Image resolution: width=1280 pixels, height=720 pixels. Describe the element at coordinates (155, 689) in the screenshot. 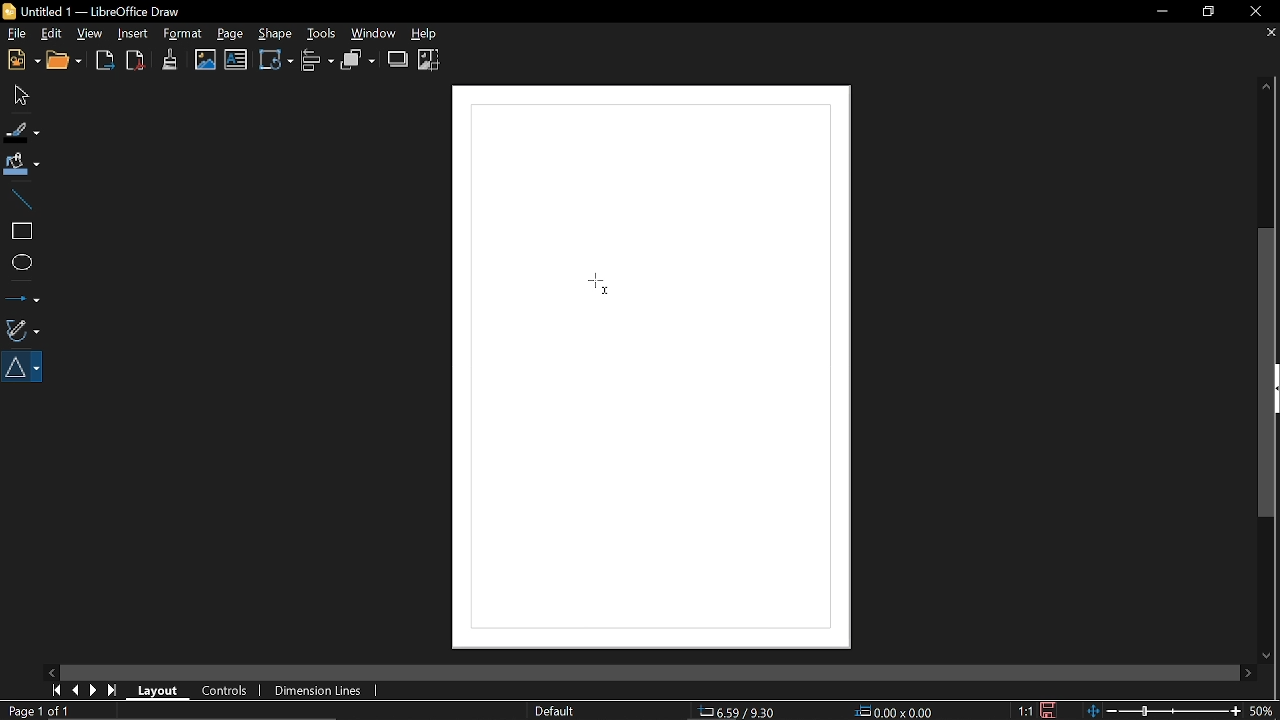

I see `Layout` at that location.